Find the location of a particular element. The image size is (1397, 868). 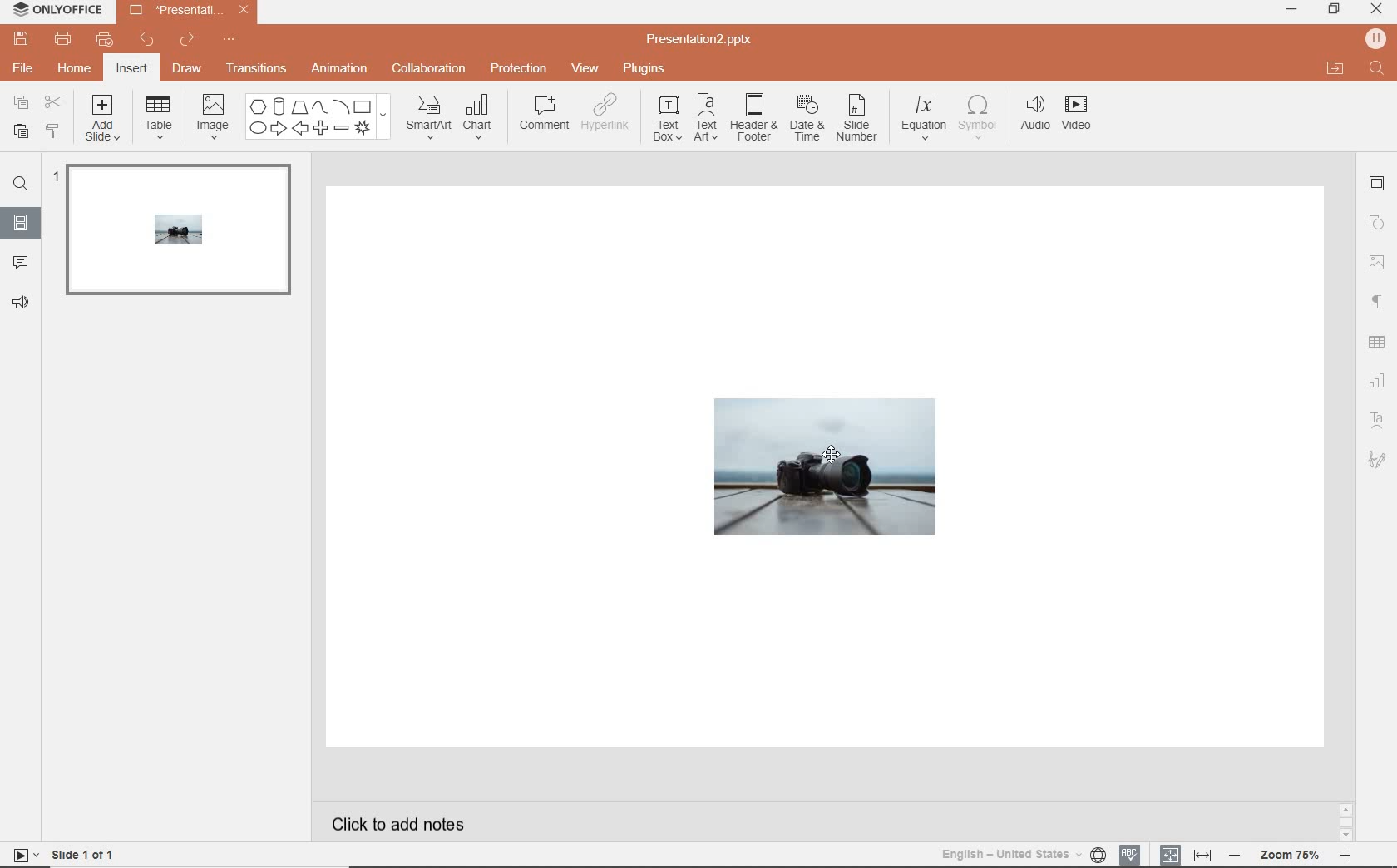

quick print is located at coordinates (106, 38).